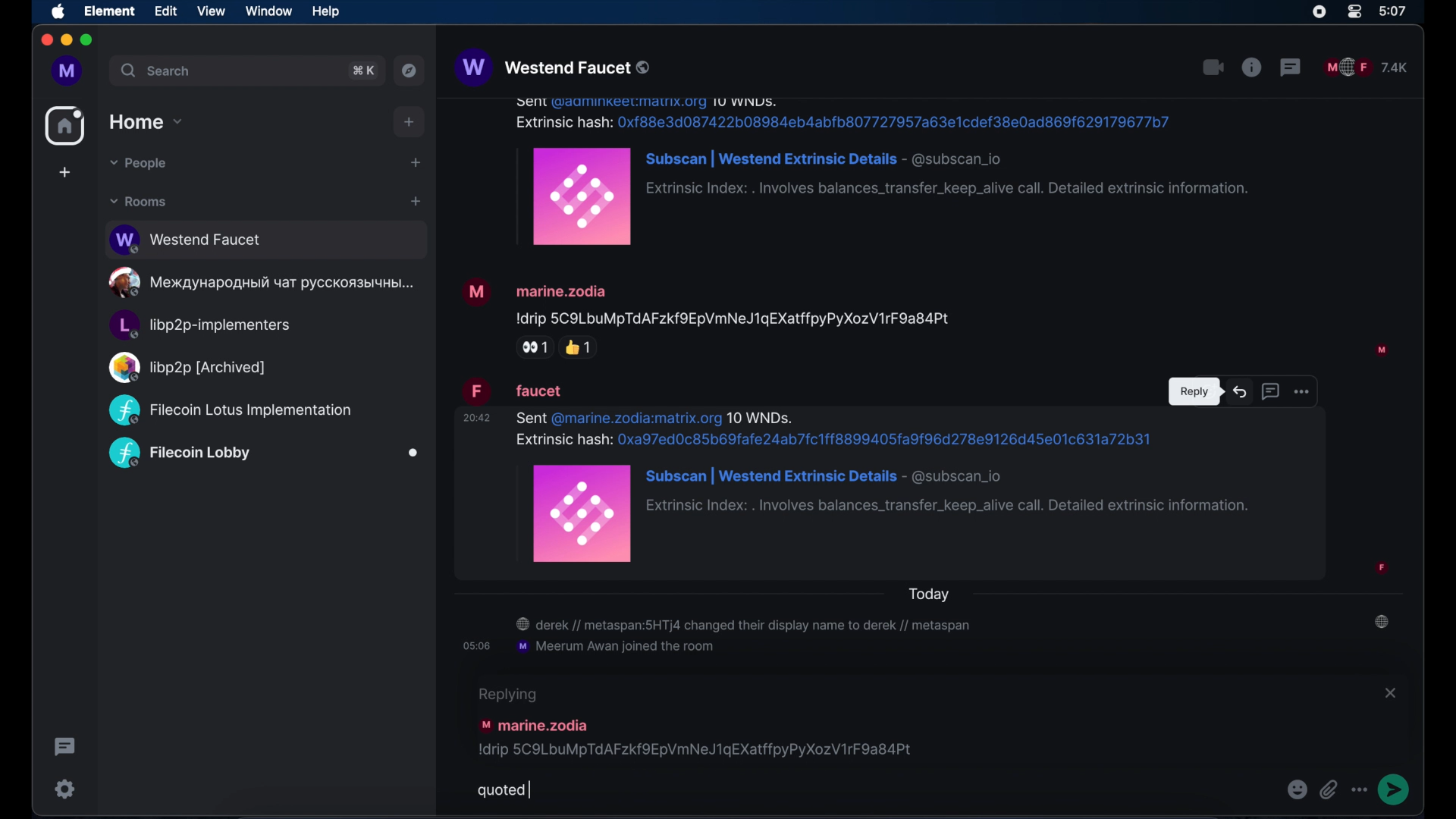  What do you see at coordinates (1367, 67) in the screenshot?
I see `public room participants` at bounding box center [1367, 67].